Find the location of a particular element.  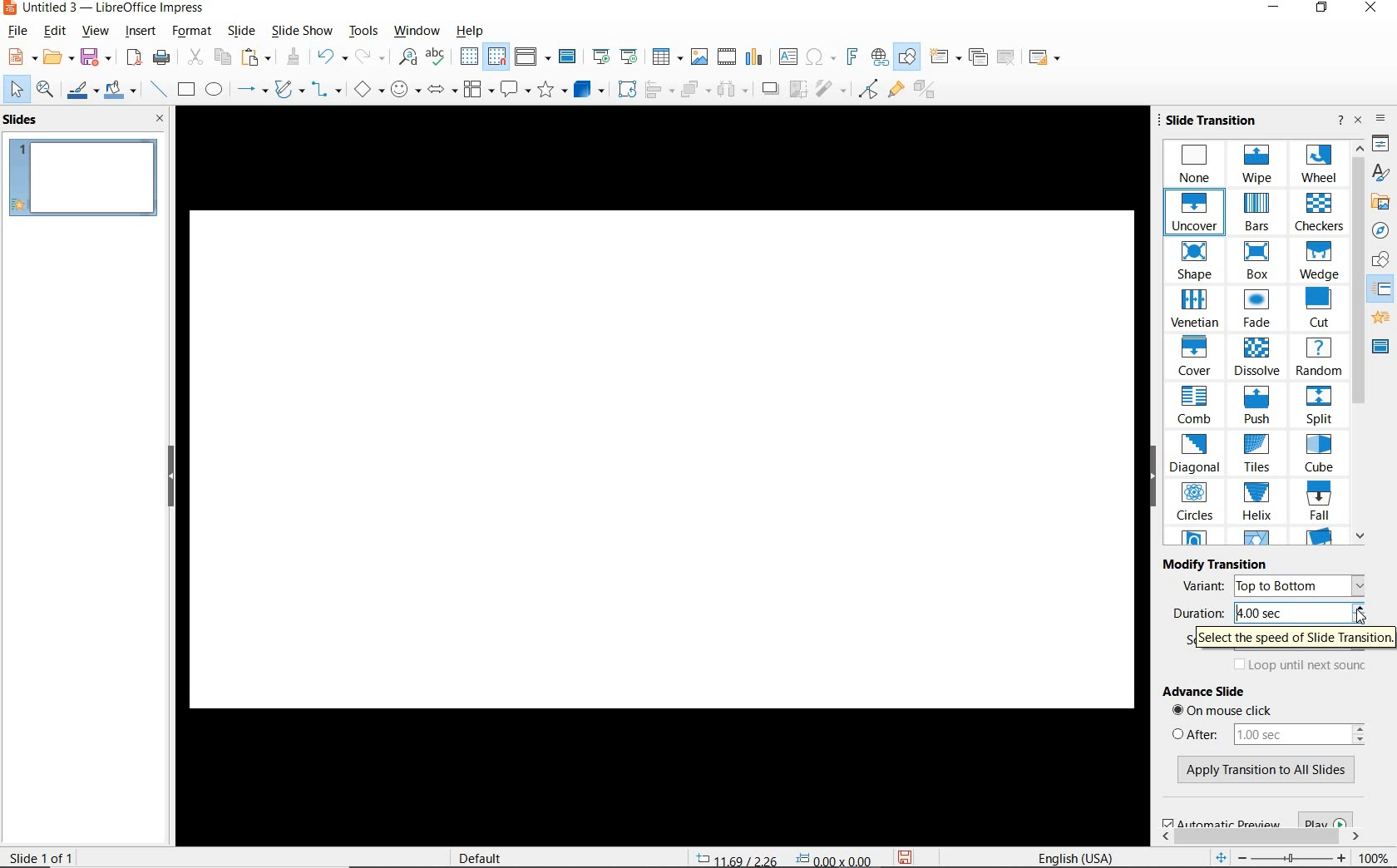

WIPE is located at coordinates (1261, 165).